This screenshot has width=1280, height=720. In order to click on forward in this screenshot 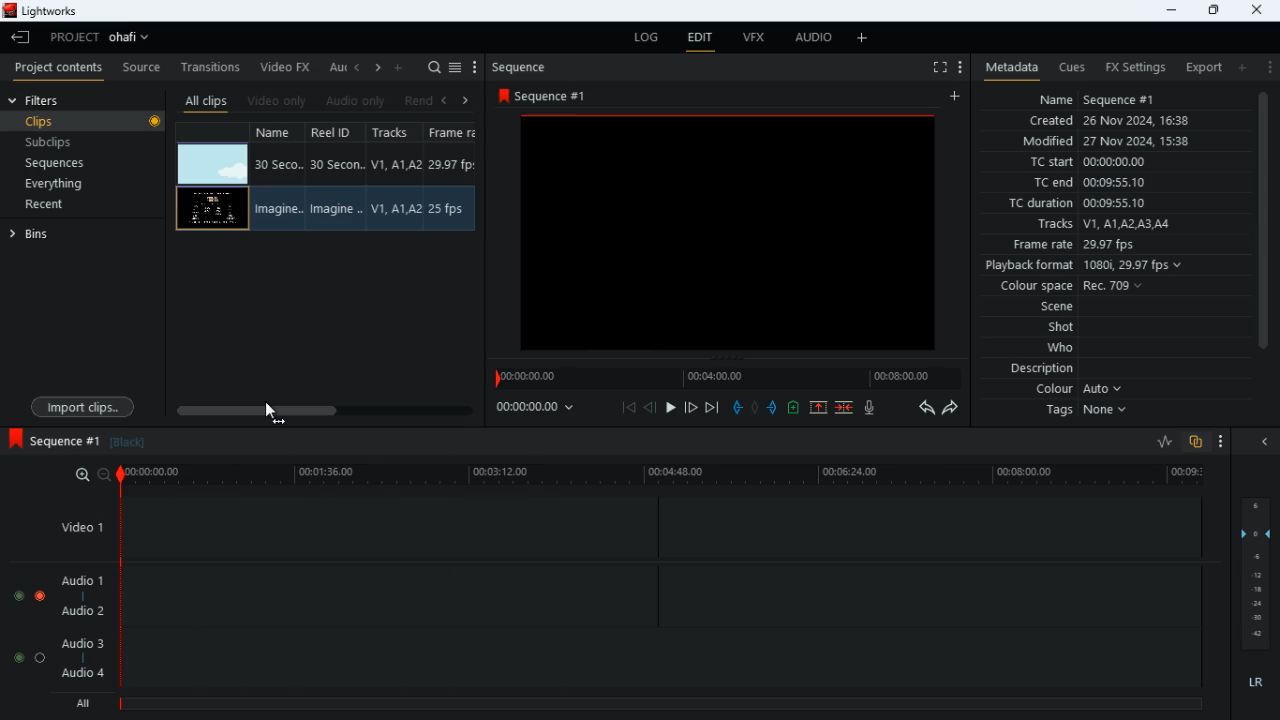, I will do `click(956, 411)`.